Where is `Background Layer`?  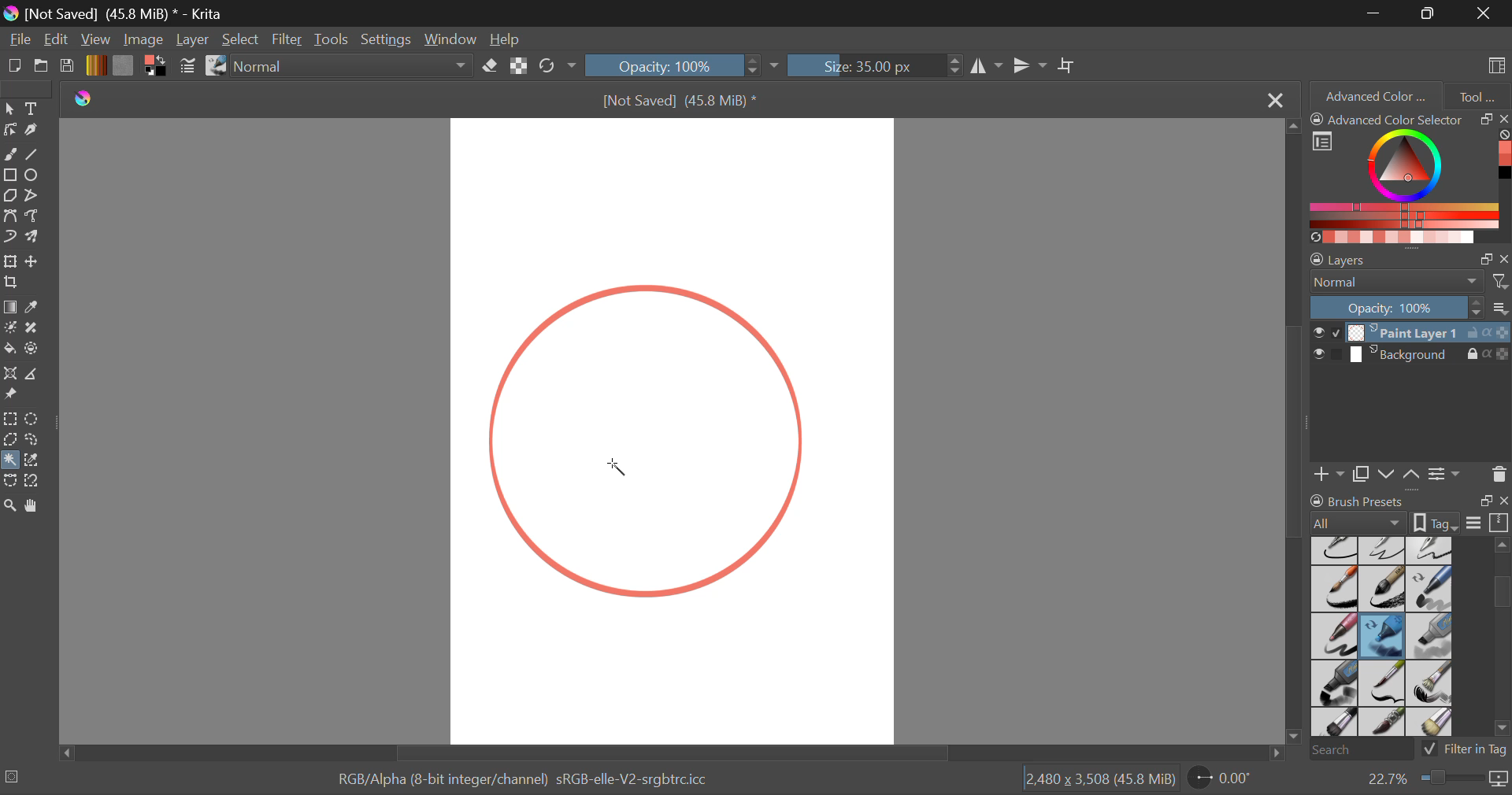 Background Layer is located at coordinates (1410, 357).